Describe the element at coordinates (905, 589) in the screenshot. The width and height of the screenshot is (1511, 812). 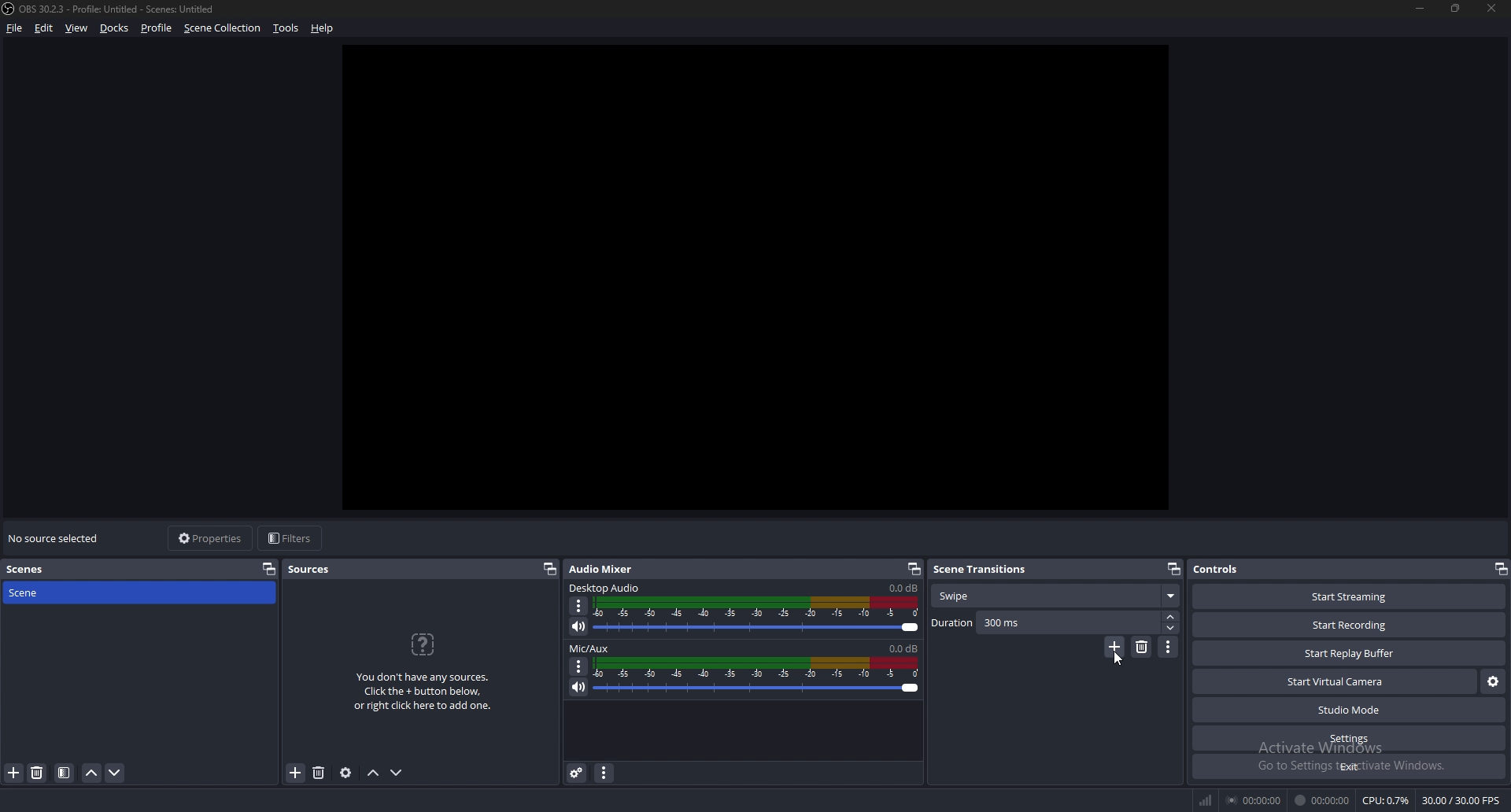
I see `0.0db` at that location.